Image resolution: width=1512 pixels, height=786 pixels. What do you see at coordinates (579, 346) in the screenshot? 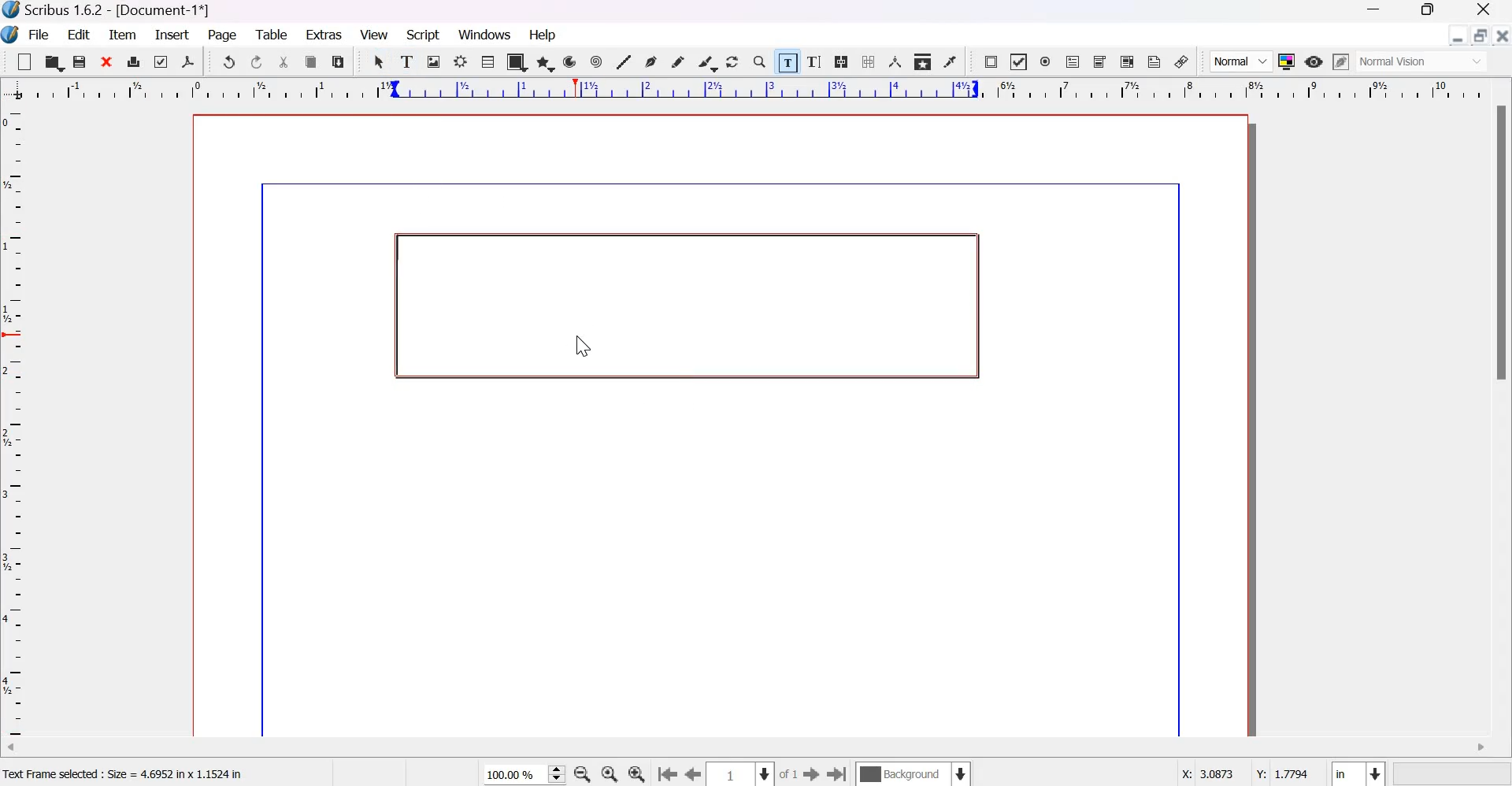
I see `cursor` at bounding box center [579, 346].